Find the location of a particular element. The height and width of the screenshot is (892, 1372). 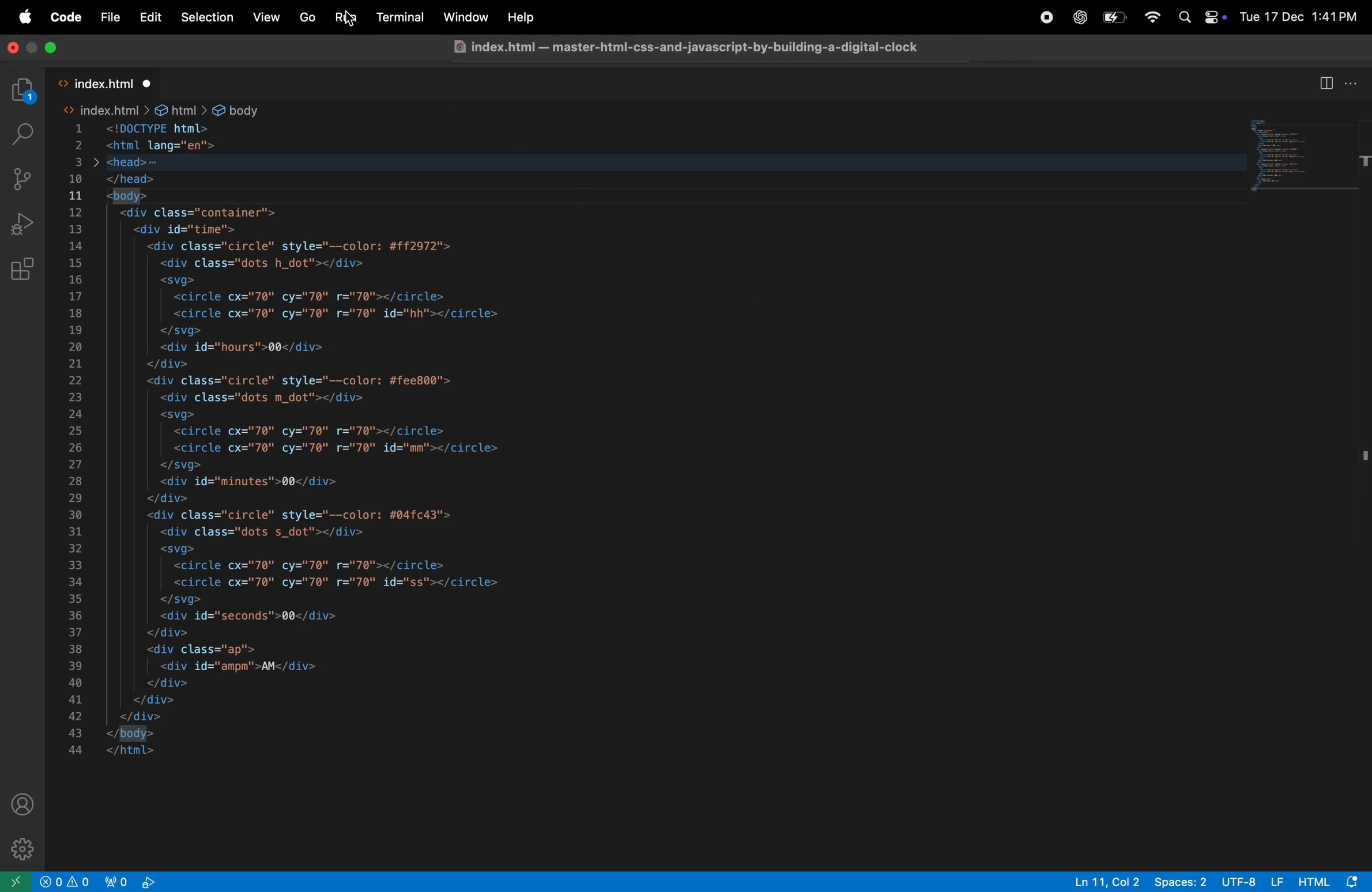

Control center is located at coordinates (1215, 16).